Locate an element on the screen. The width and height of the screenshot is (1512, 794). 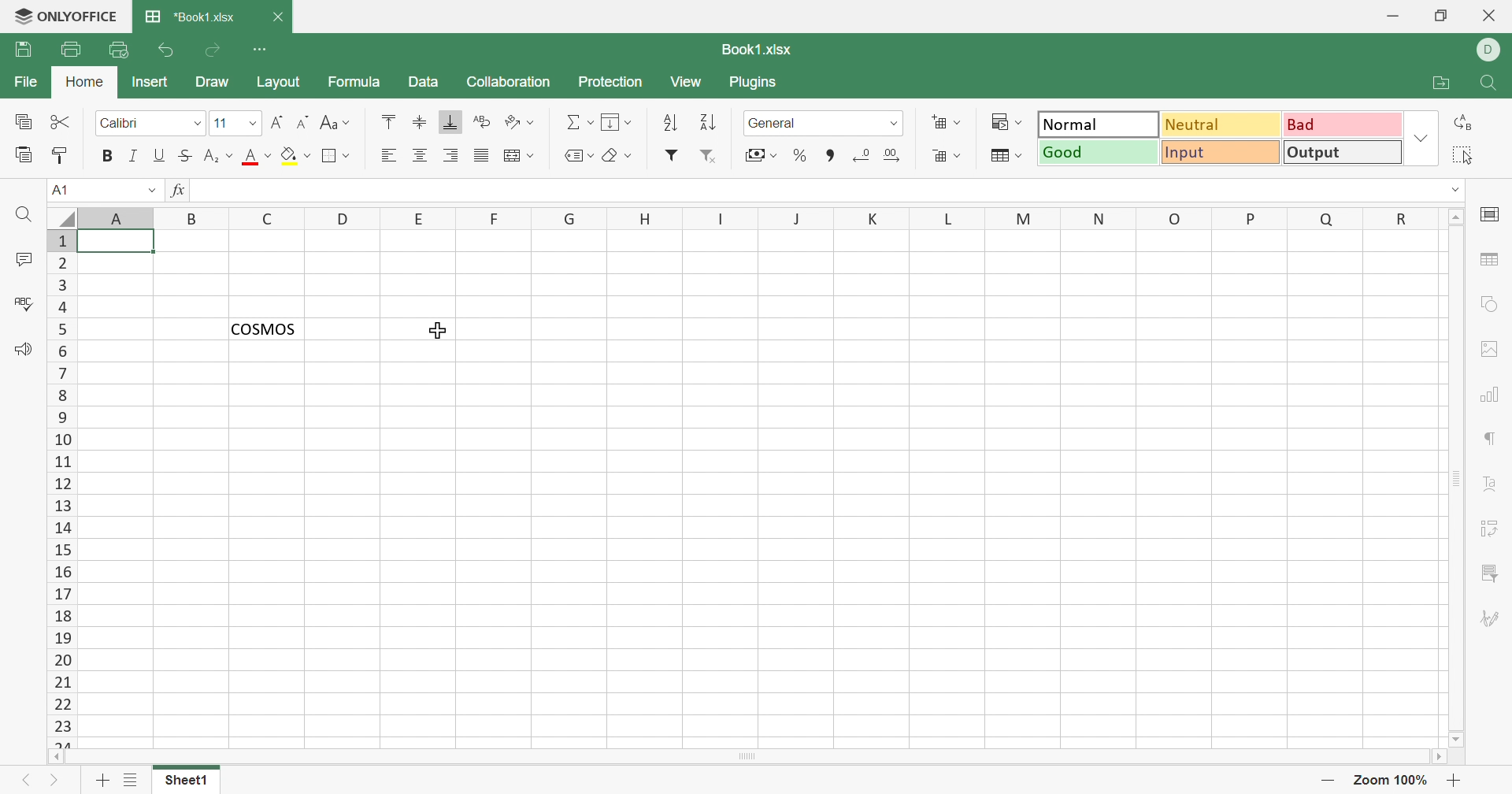
Book1.xlsx is located at coordinates (759, 49).